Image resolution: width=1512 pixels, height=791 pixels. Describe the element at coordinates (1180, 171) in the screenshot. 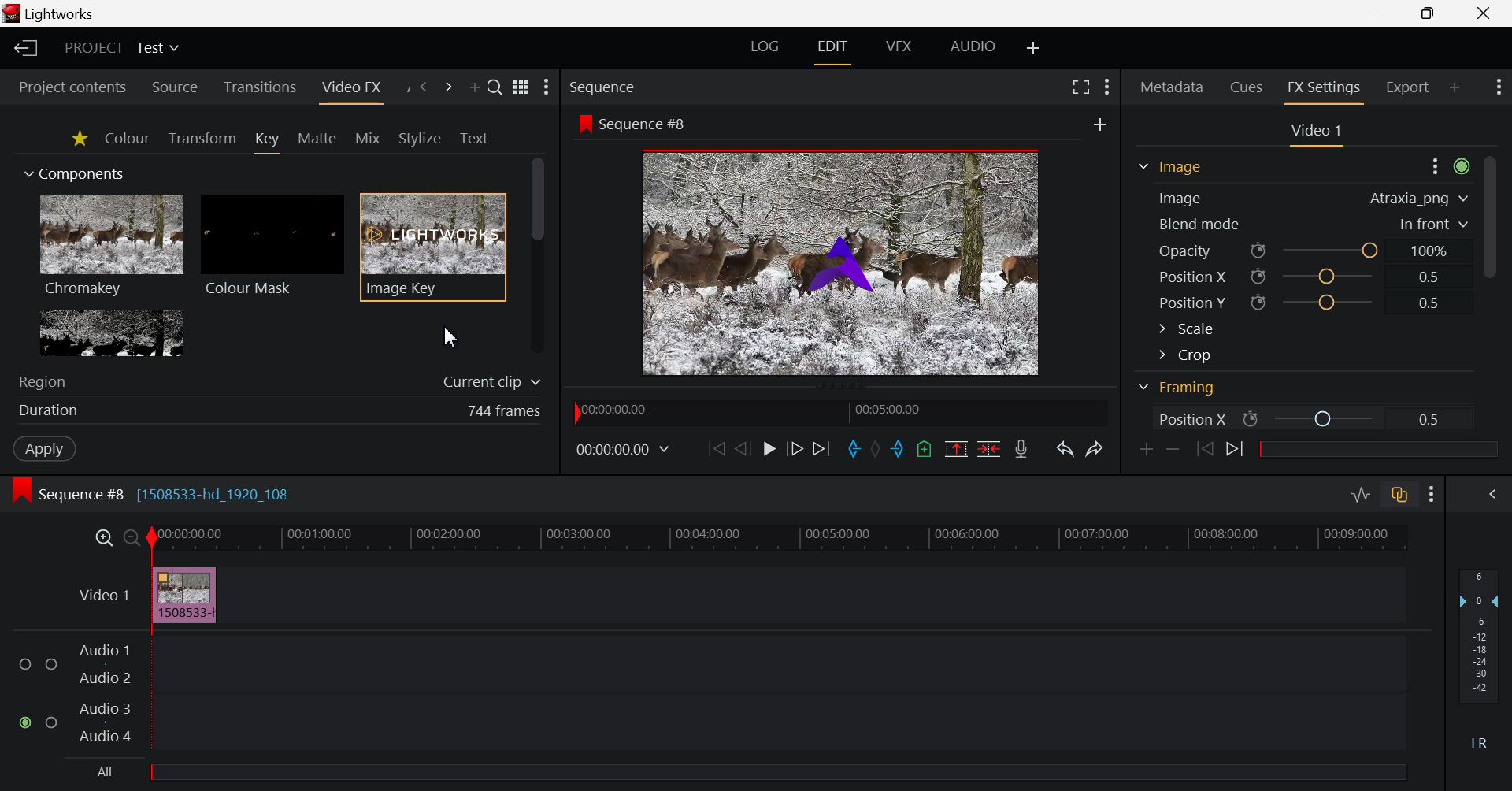

I see `Framing Section` at that location.